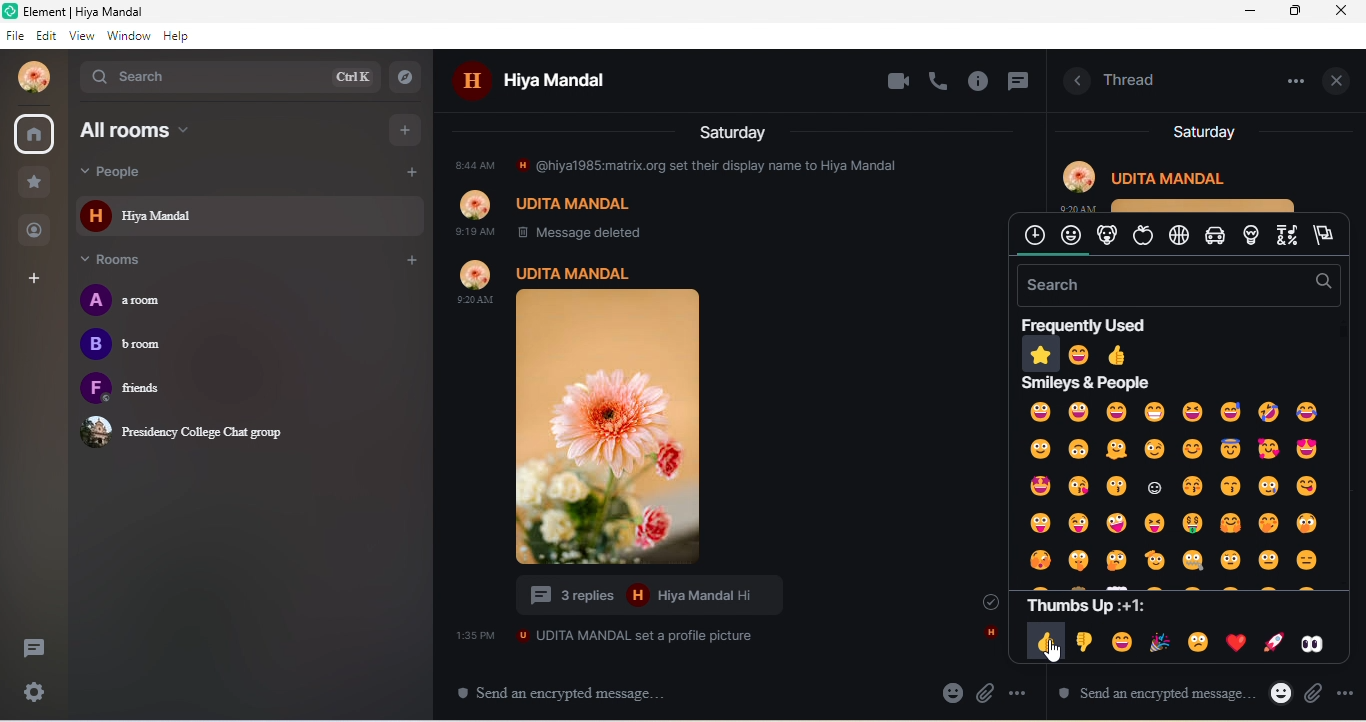  What do you see at coordinates (129, 36) in the screenshot?
I see `window` at bounding box center [129, 36].